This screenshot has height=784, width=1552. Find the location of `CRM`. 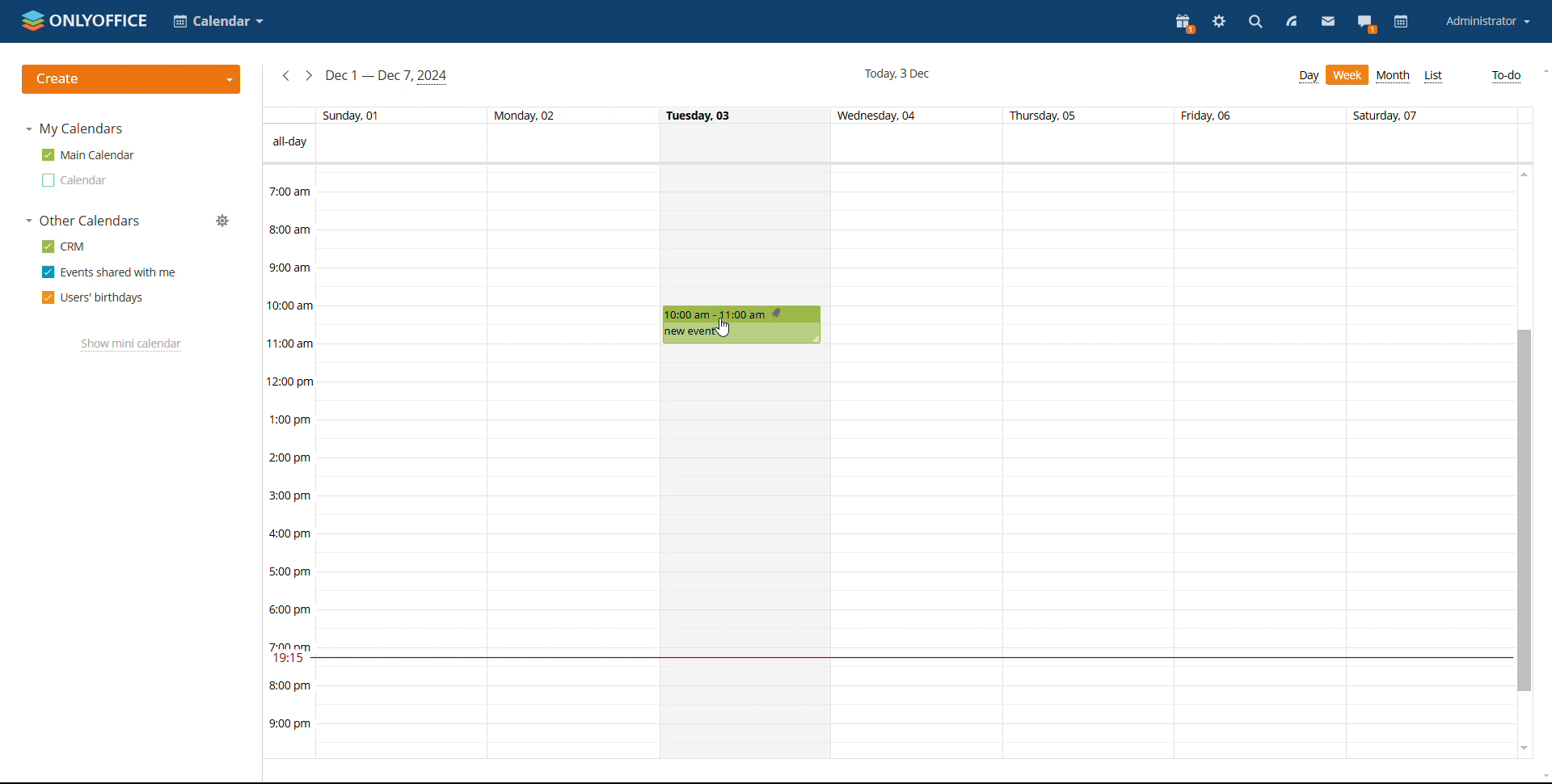

CRM is located at coordinates (63, 247).